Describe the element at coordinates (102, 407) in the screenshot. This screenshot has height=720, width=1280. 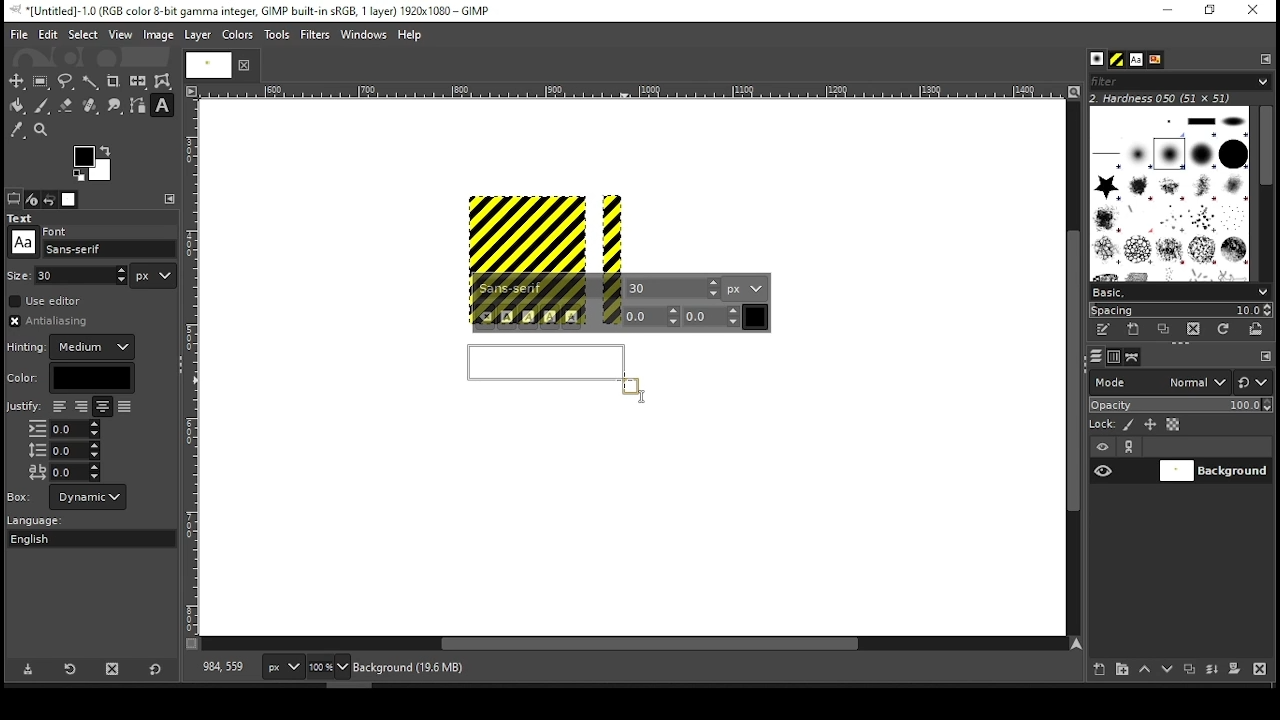
I see `justify center` at that location.